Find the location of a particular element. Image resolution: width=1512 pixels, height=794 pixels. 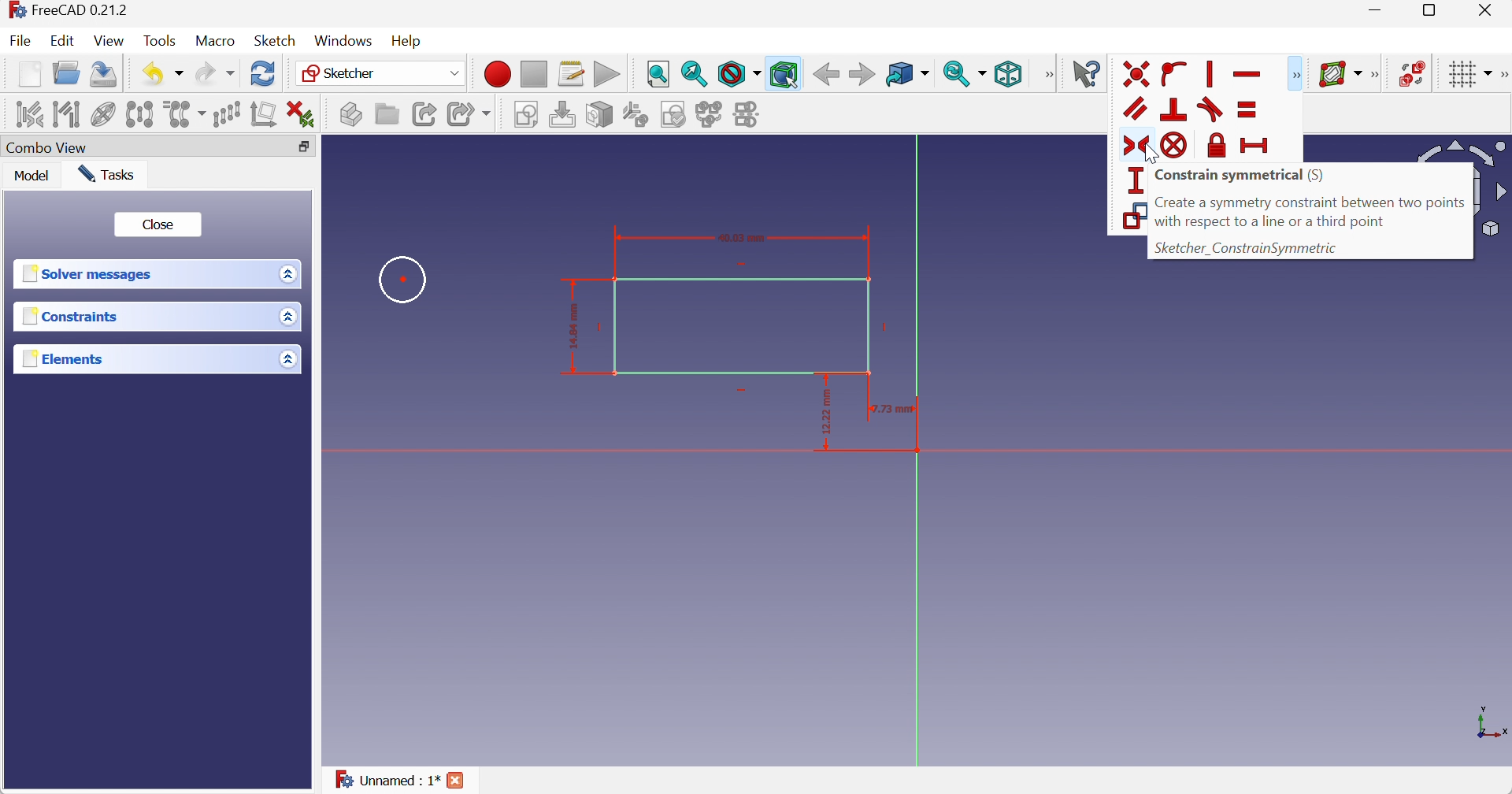

Undo is located at coordinates (165, 75).